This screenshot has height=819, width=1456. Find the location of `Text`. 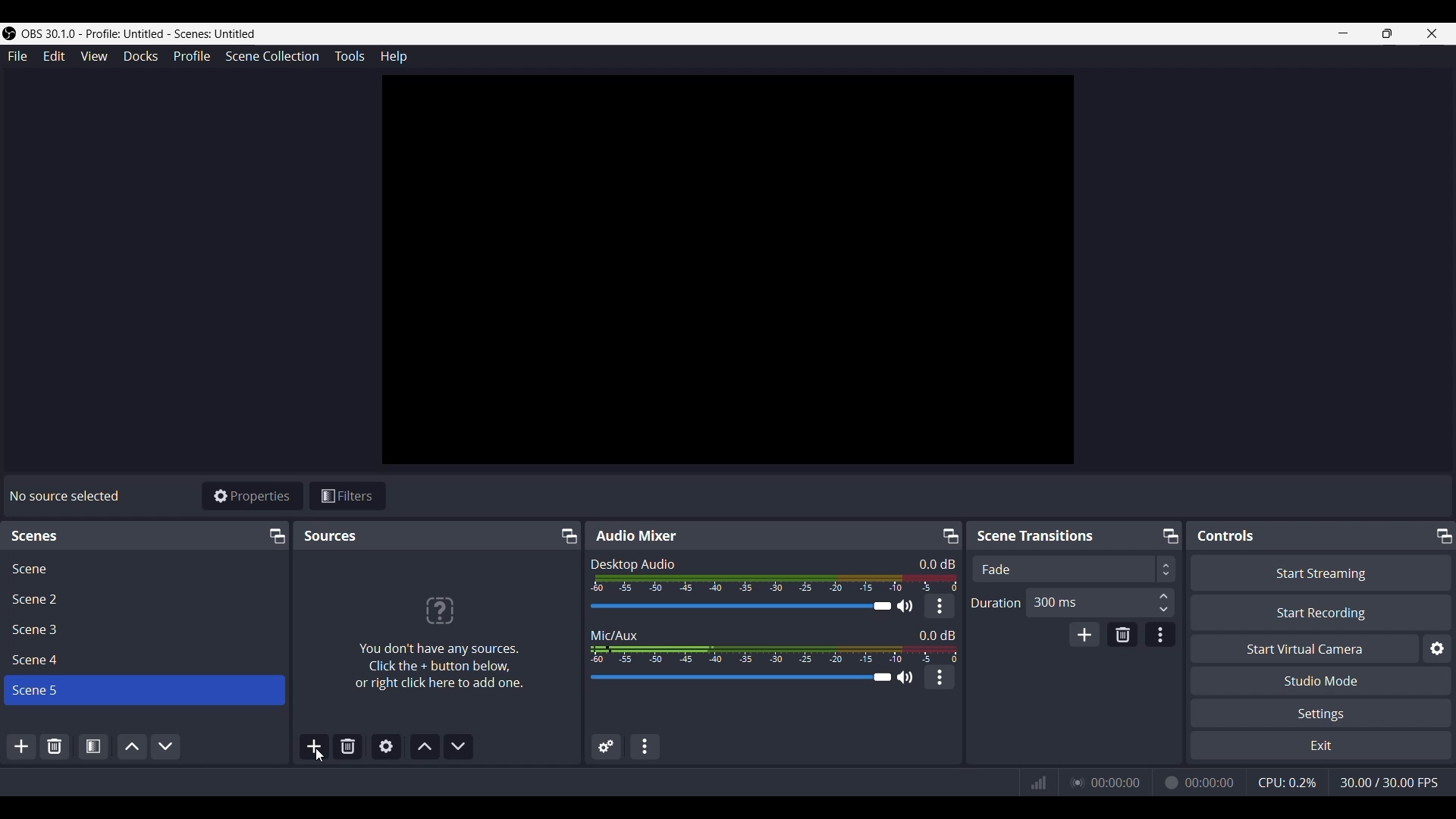

Text is located at coordinates (1225, 535).